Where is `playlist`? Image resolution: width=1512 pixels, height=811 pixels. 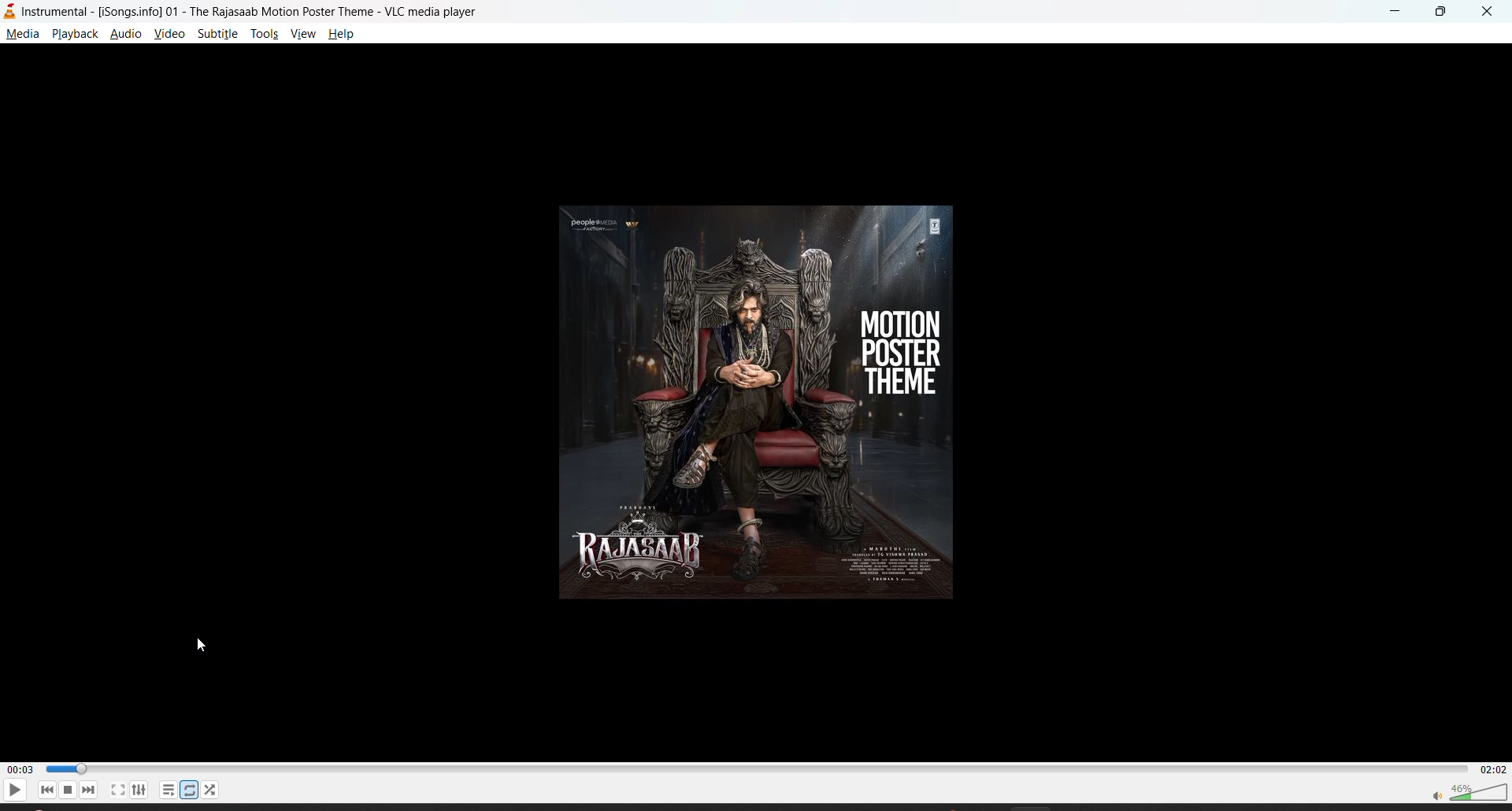 playlist is located at coordinates (170, 791).